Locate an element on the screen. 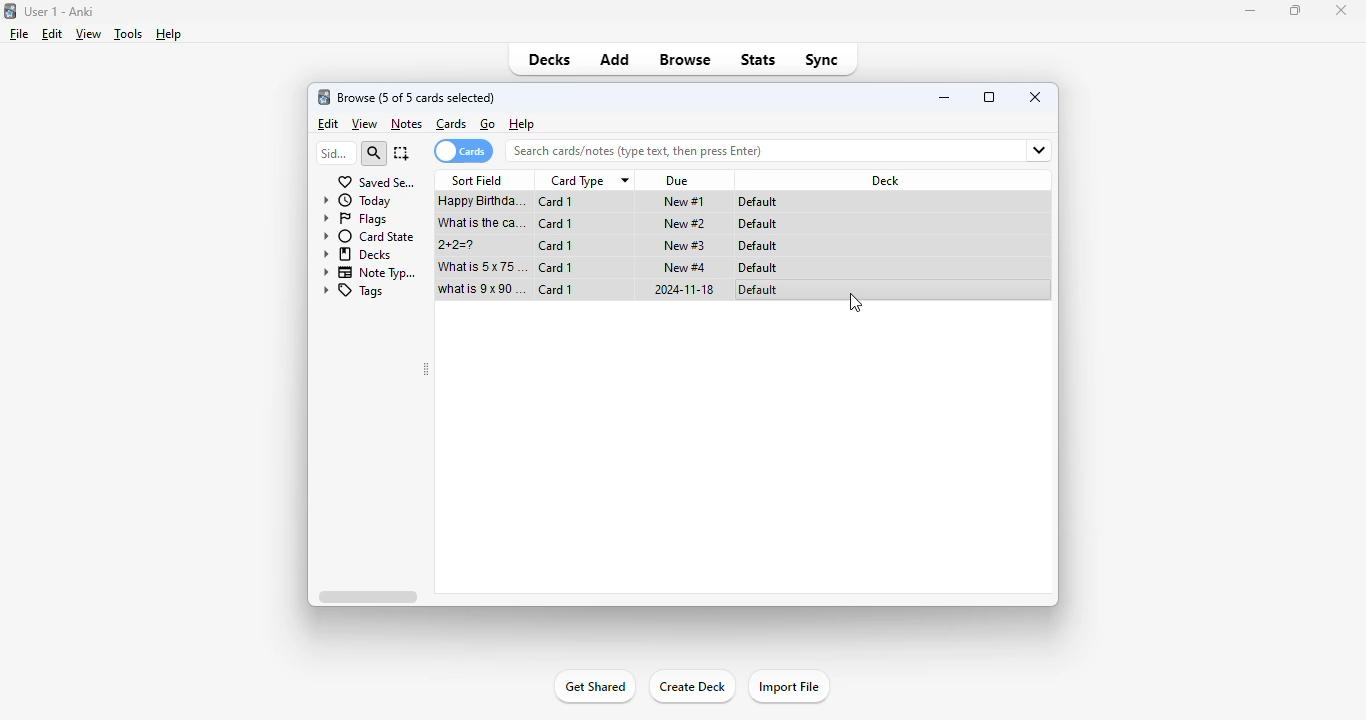  horizontal scroll bar is located at coordinates (367, 596).